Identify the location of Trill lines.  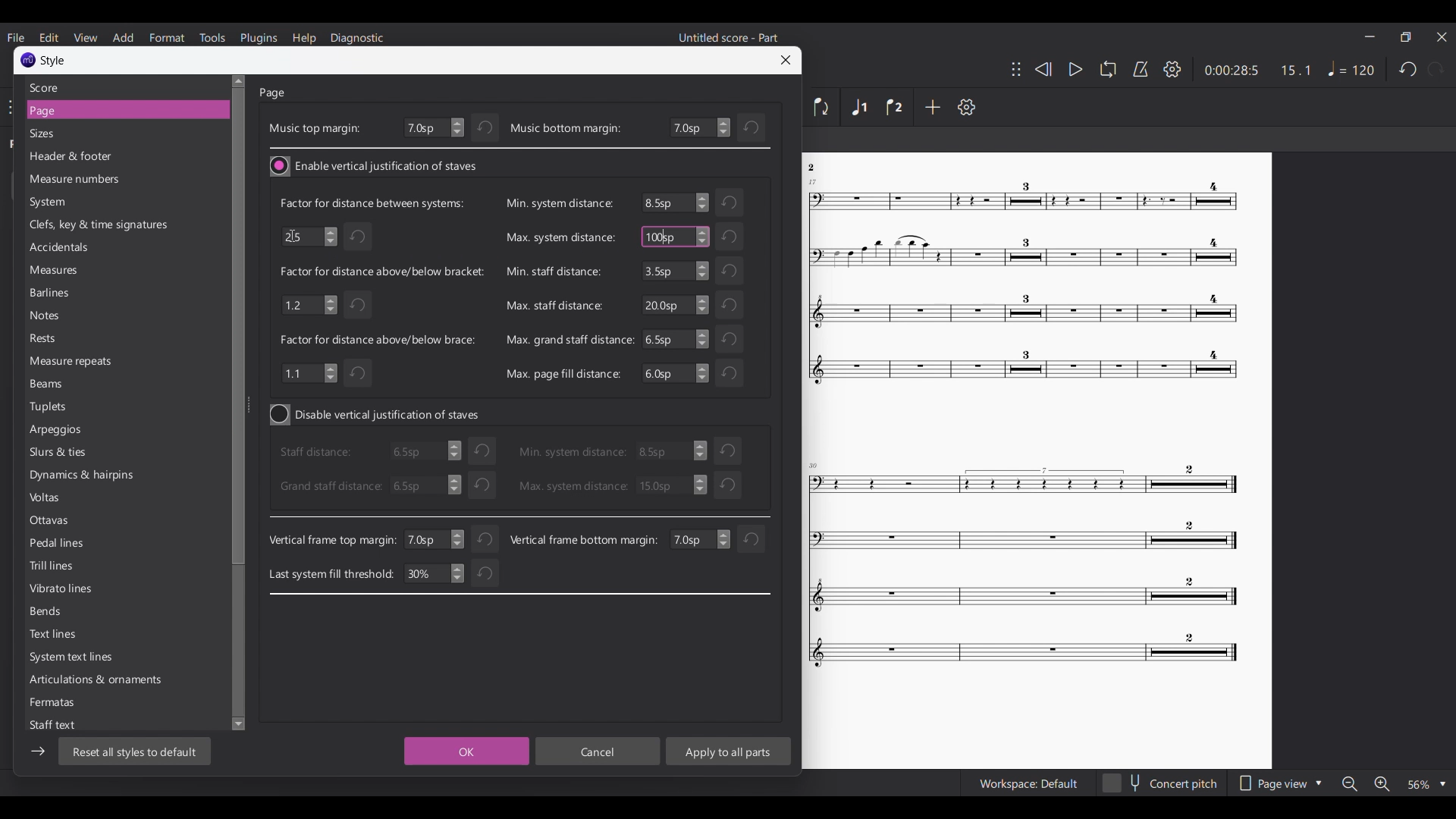
(81, 566).